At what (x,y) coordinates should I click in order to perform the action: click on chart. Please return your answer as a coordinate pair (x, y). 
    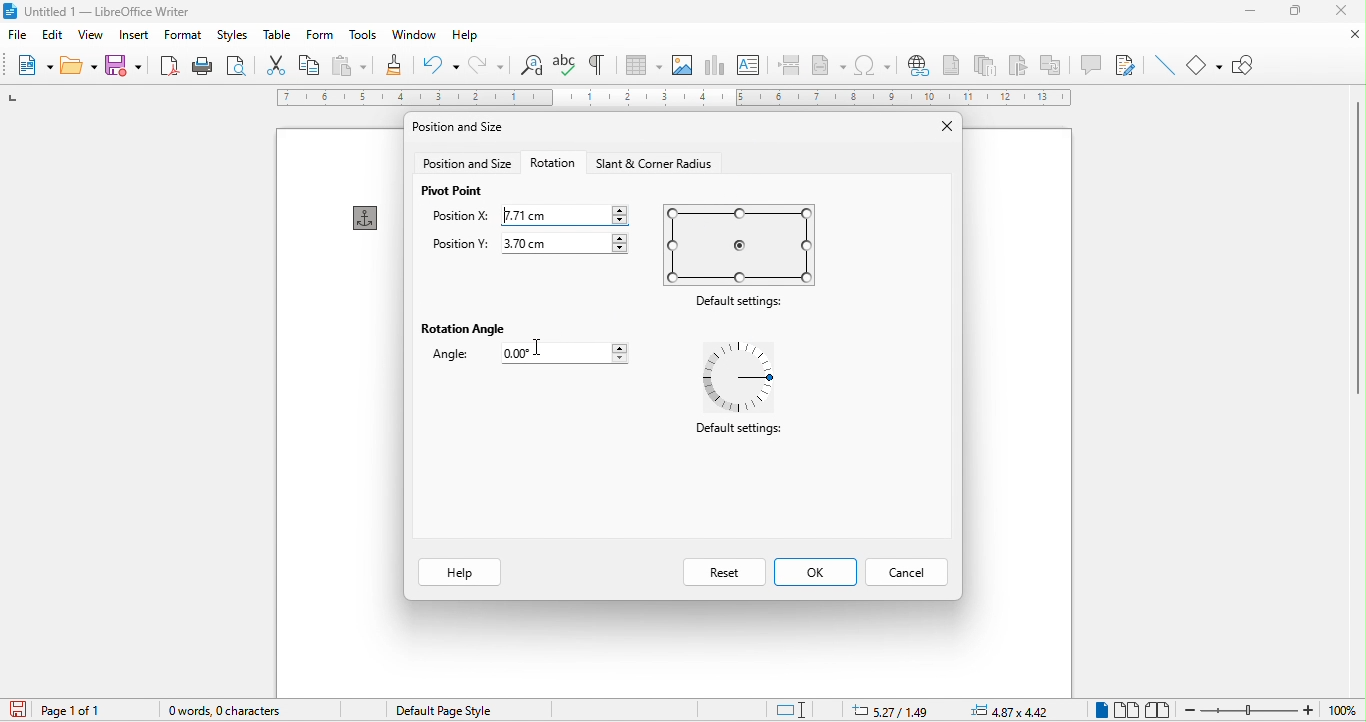
    Looking at the image, I should click on (718, 65).